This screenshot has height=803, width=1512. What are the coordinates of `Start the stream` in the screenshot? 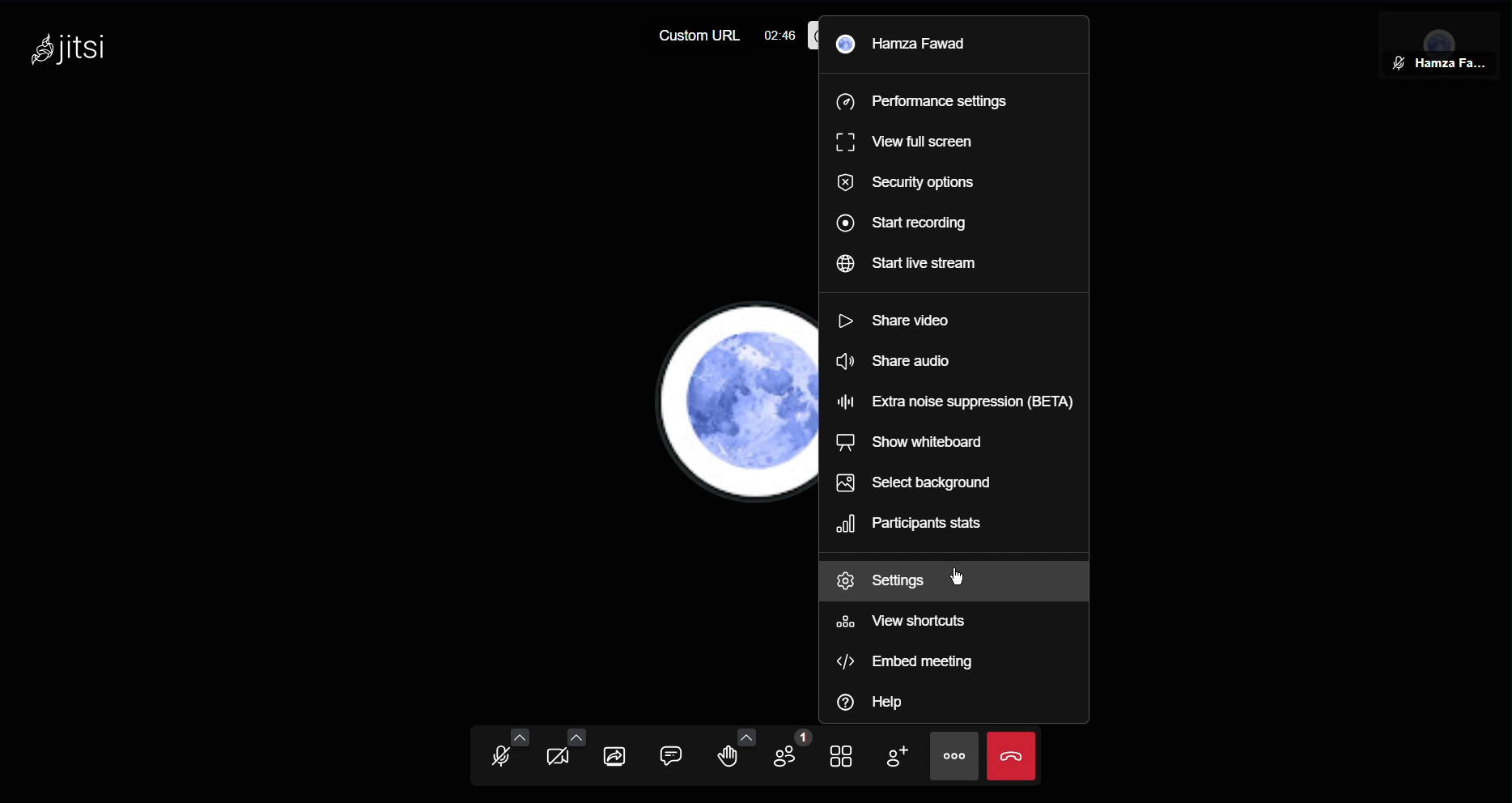 It's located at (911, 266).